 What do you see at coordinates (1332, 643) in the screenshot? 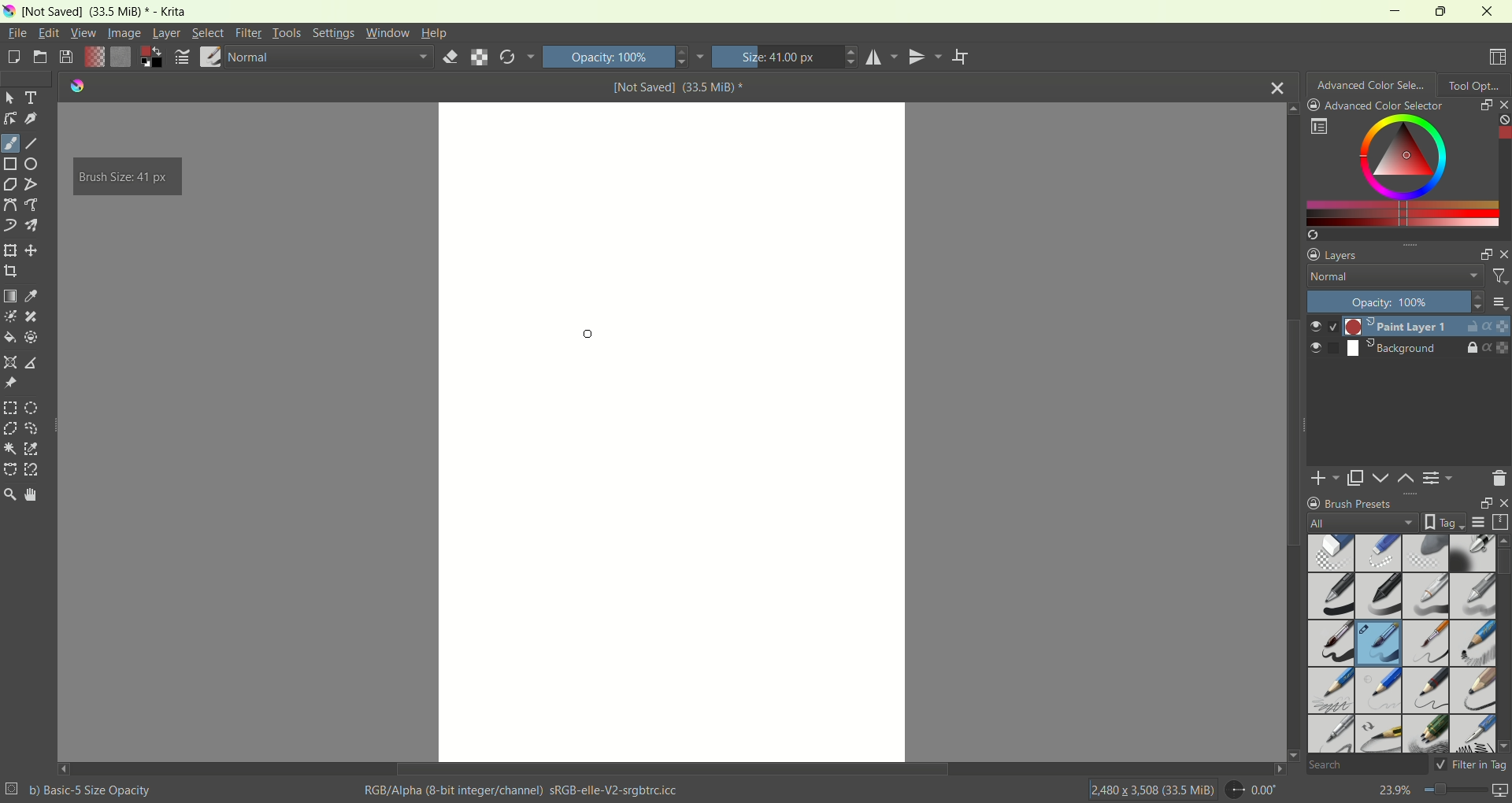
I see `basic 5` at bounding box center [1332, 643].